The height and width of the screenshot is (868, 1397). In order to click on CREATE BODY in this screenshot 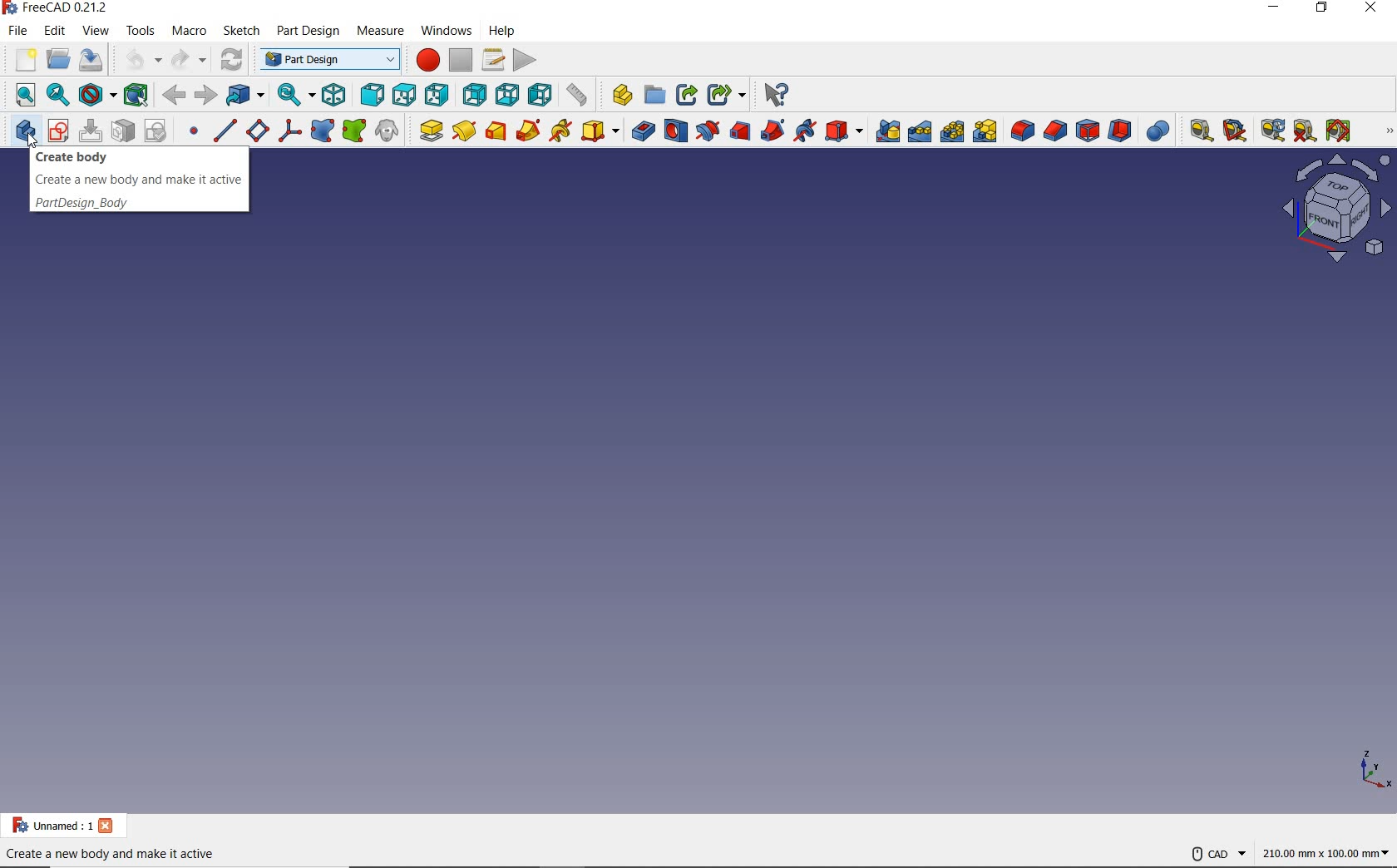, I will do `click(141, 183)`.